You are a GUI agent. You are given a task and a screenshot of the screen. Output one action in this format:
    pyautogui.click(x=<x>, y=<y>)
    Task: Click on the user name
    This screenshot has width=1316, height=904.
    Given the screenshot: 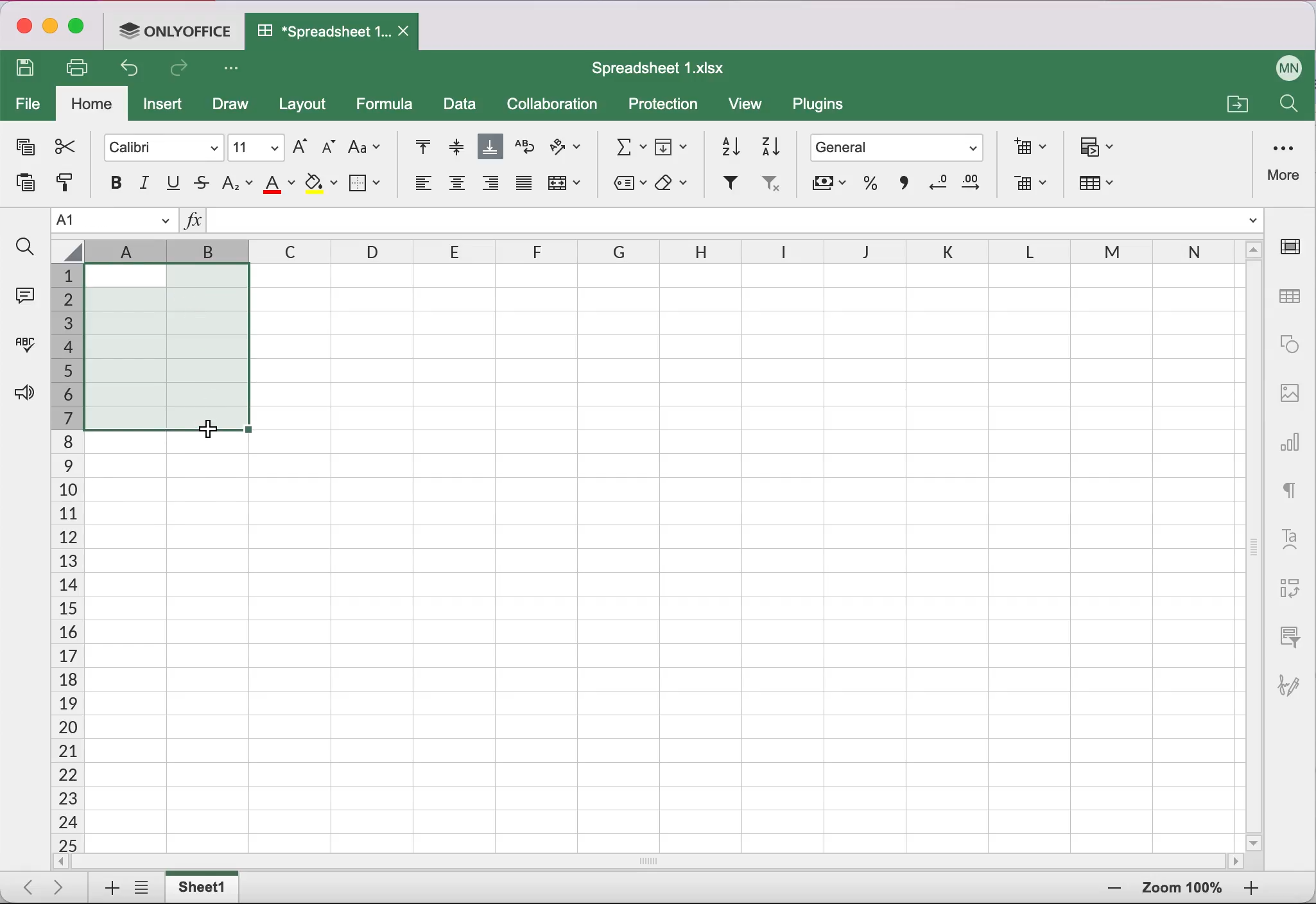 What is the action you would take?
    pyautogui.click(x=1290, y=65)
    